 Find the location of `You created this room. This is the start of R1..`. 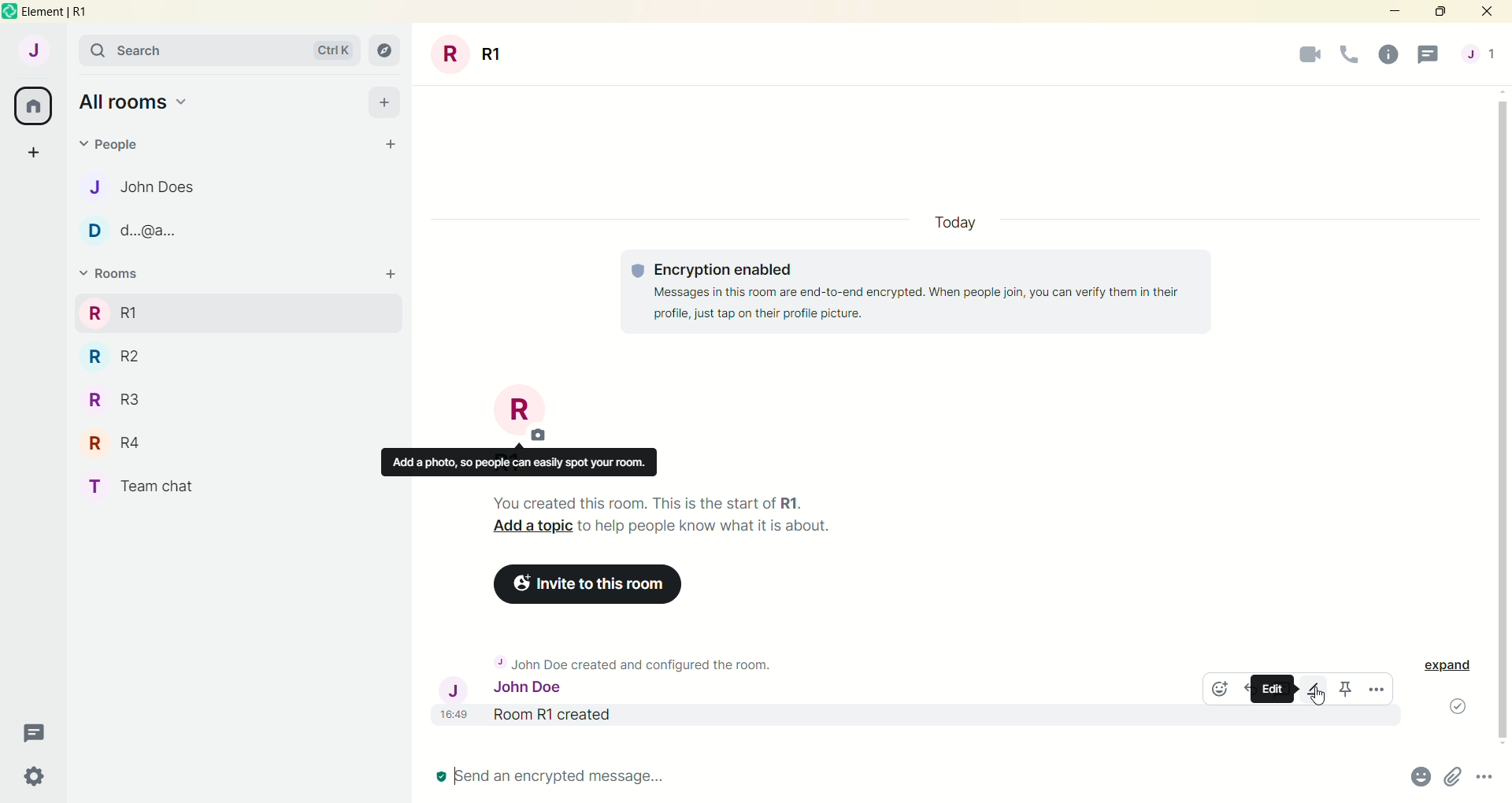

You created this room. This is the start of R1.. is located at coordinates (654, 503).